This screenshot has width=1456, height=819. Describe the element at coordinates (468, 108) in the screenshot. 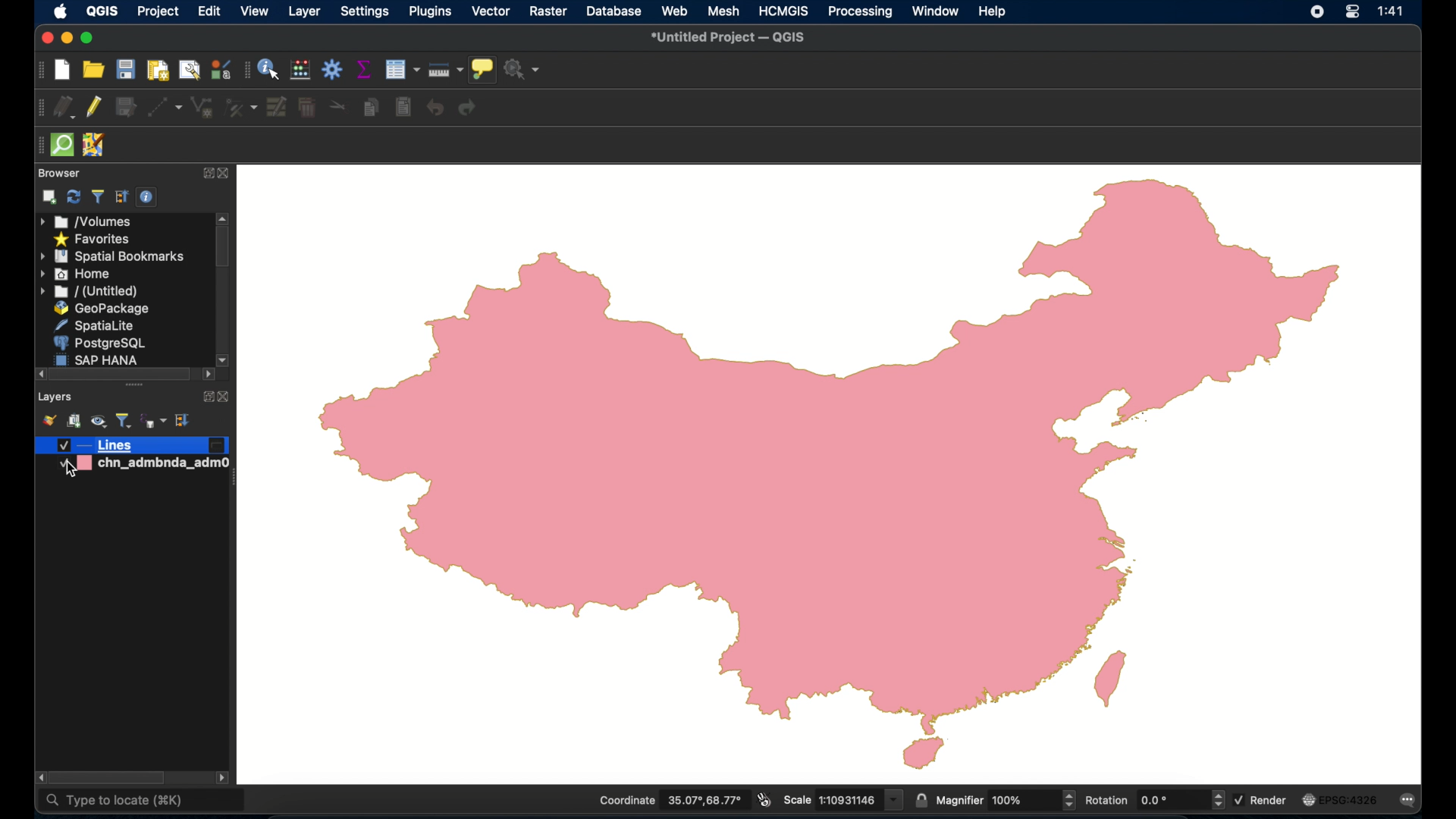

I see `redo` at that location.